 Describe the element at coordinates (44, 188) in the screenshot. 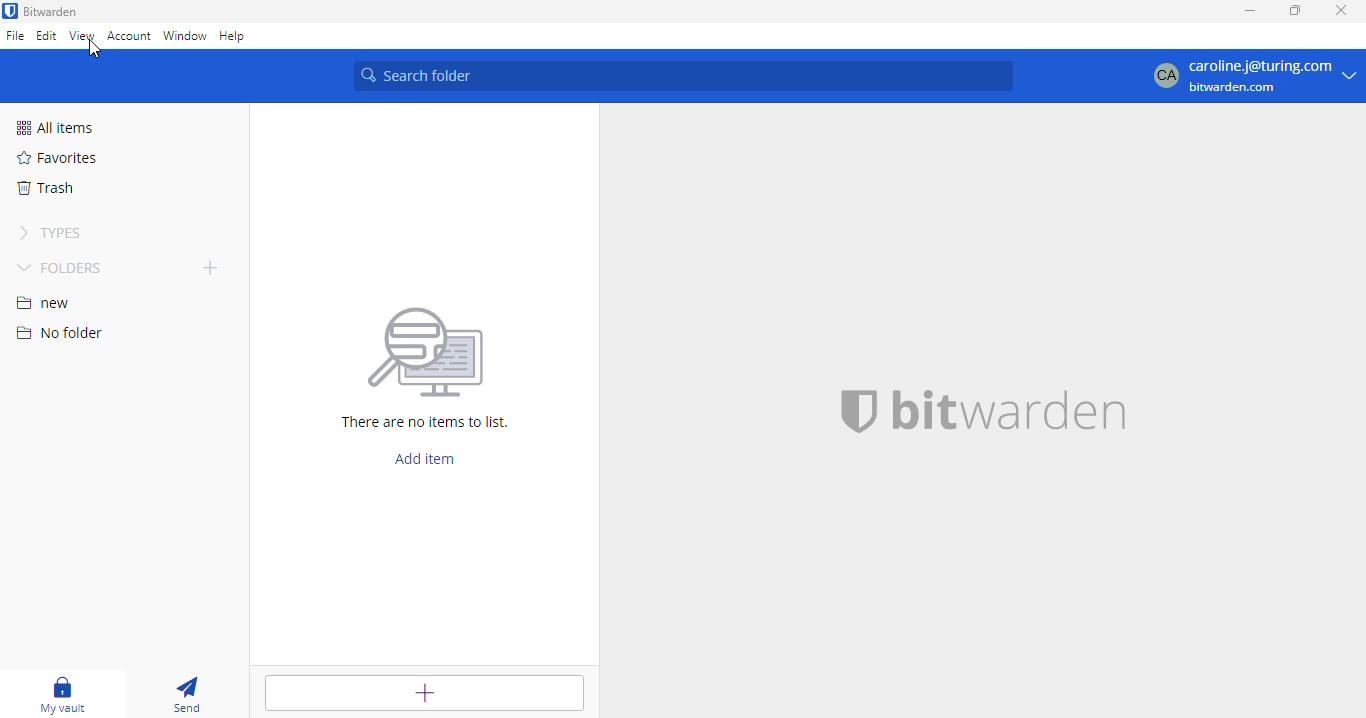

I see `trash` at that location.